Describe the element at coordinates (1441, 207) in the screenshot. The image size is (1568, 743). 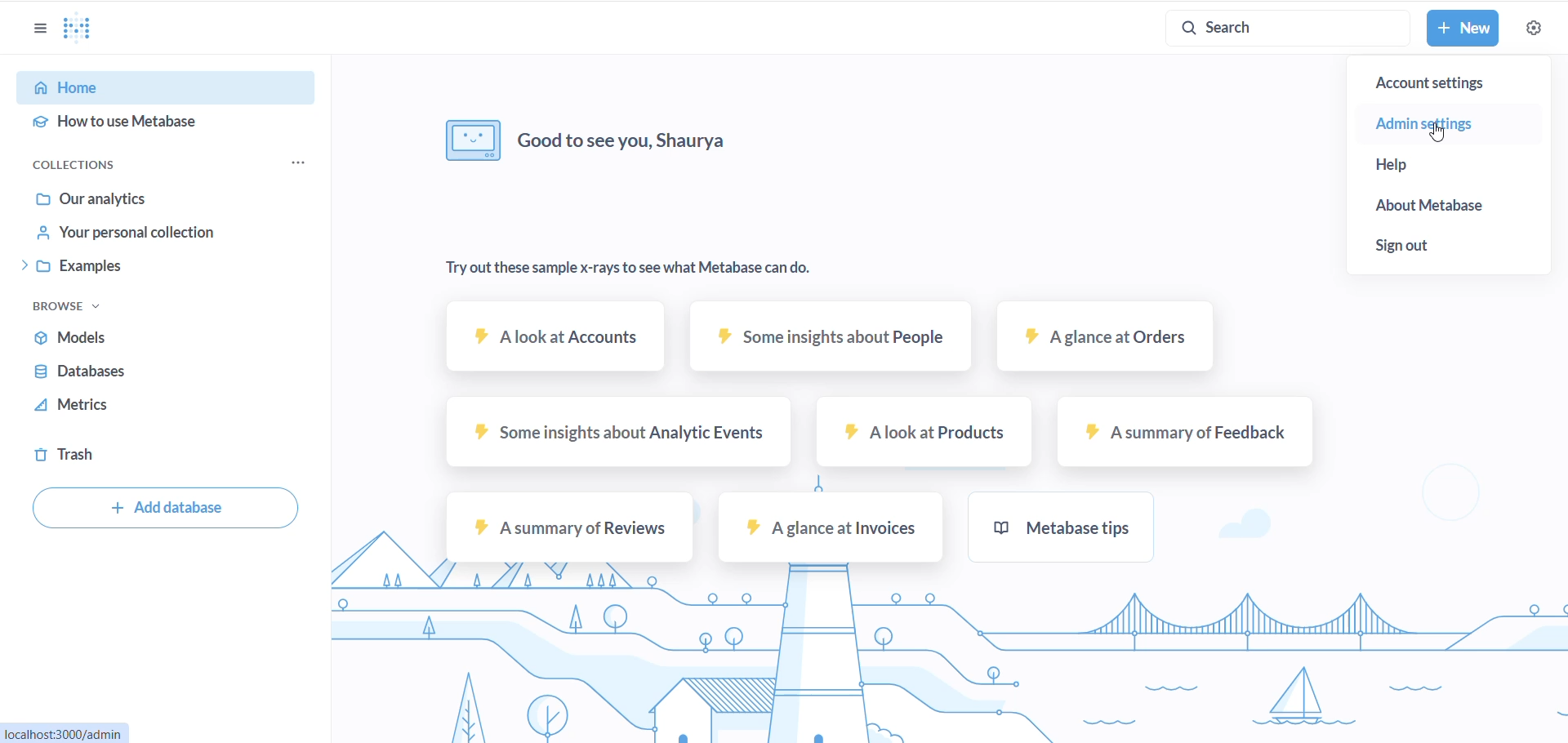
I see `about metabase` at that location.